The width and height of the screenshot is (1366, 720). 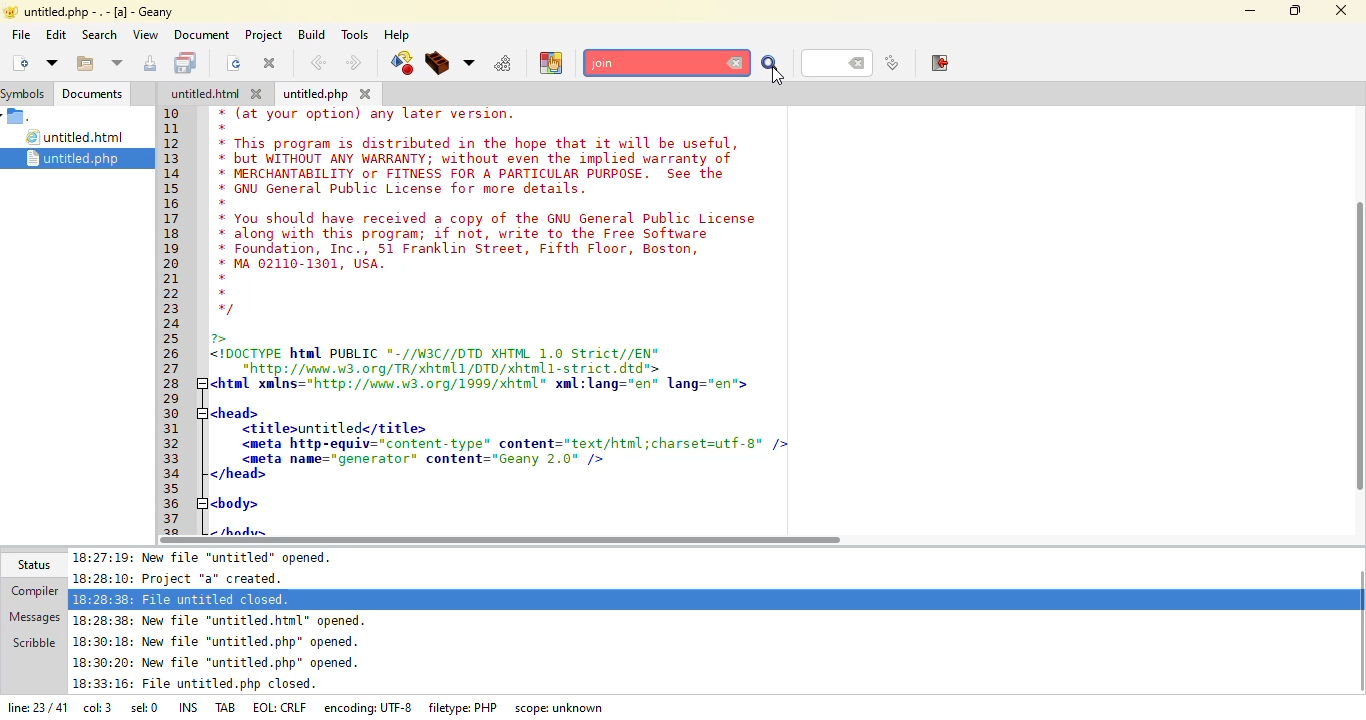 I want to click on 18:33:16: file untitled.php closed., so click(x=195, y=686).